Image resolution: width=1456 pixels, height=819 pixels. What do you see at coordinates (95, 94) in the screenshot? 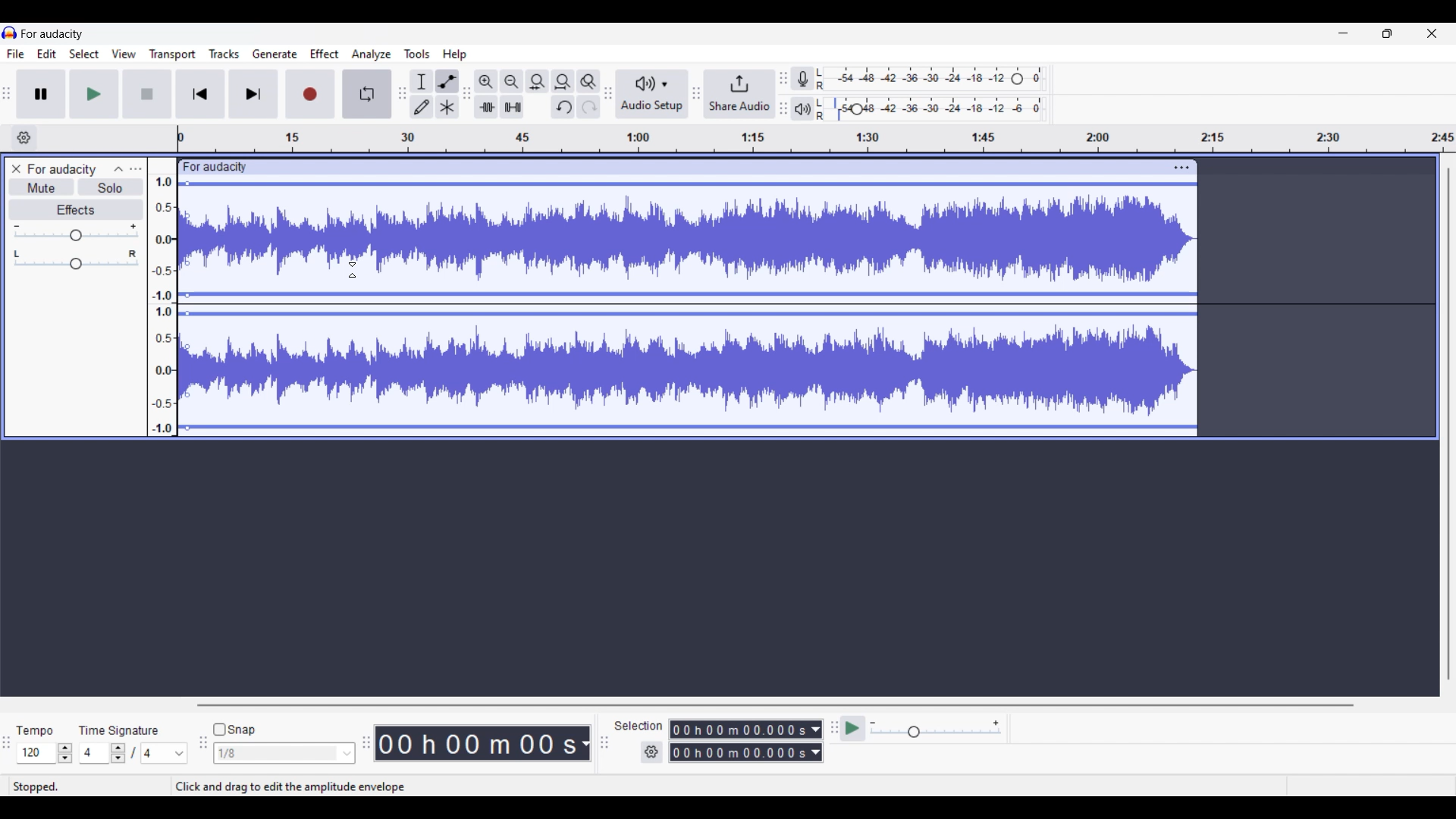
I see `Play/Play once` at bounding box center [95, 94].